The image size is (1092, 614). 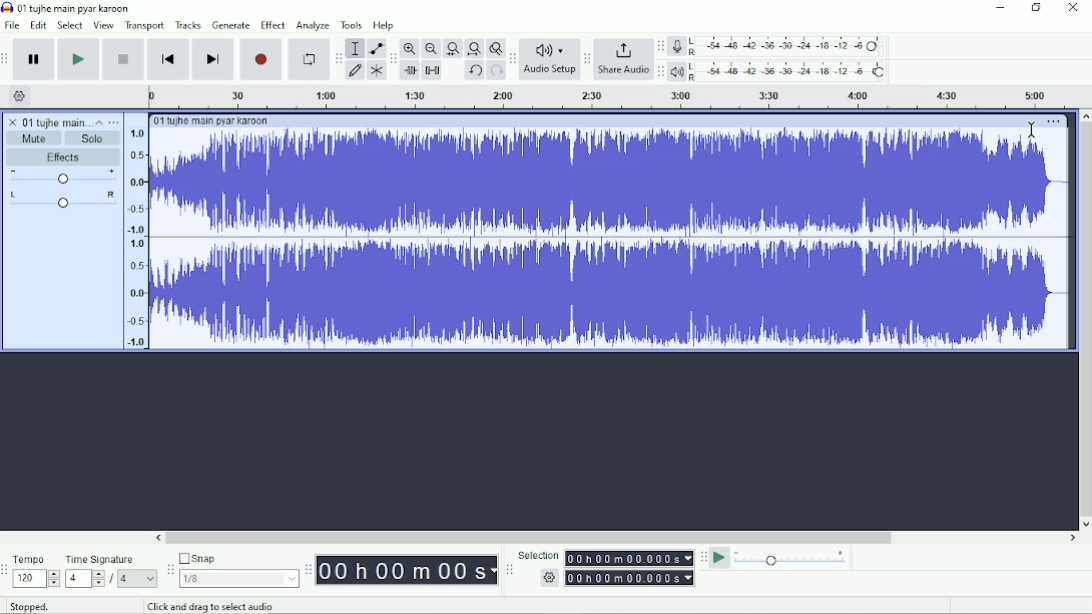 What do you see at coordinates (550, 59) in the screenshot?
I see `Audio Setup` at bounding box center [550, 59].